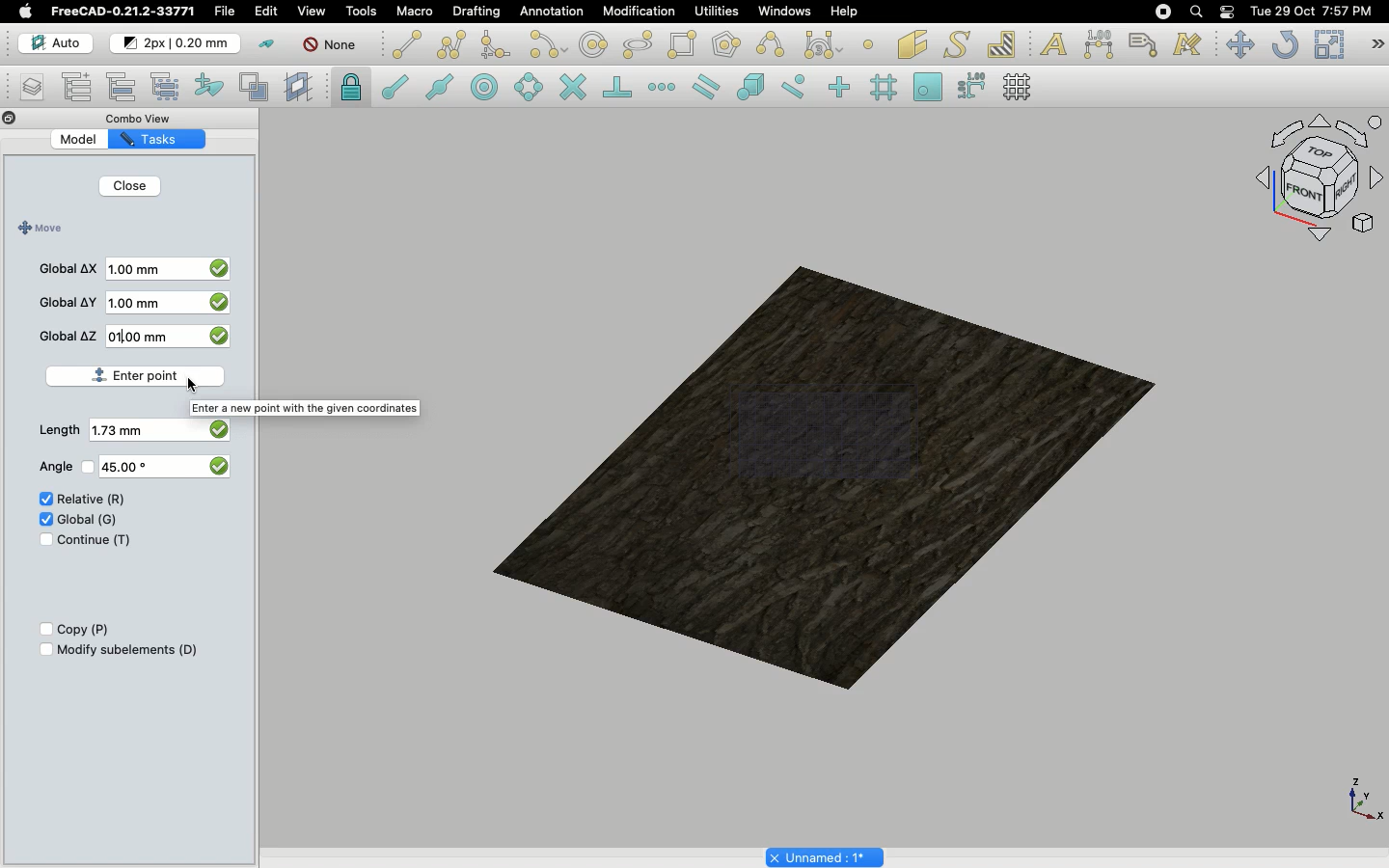 Image resolution: width=1389 pixels, height=868 pixels. I want to click on Facebinder, so click(912, 46).